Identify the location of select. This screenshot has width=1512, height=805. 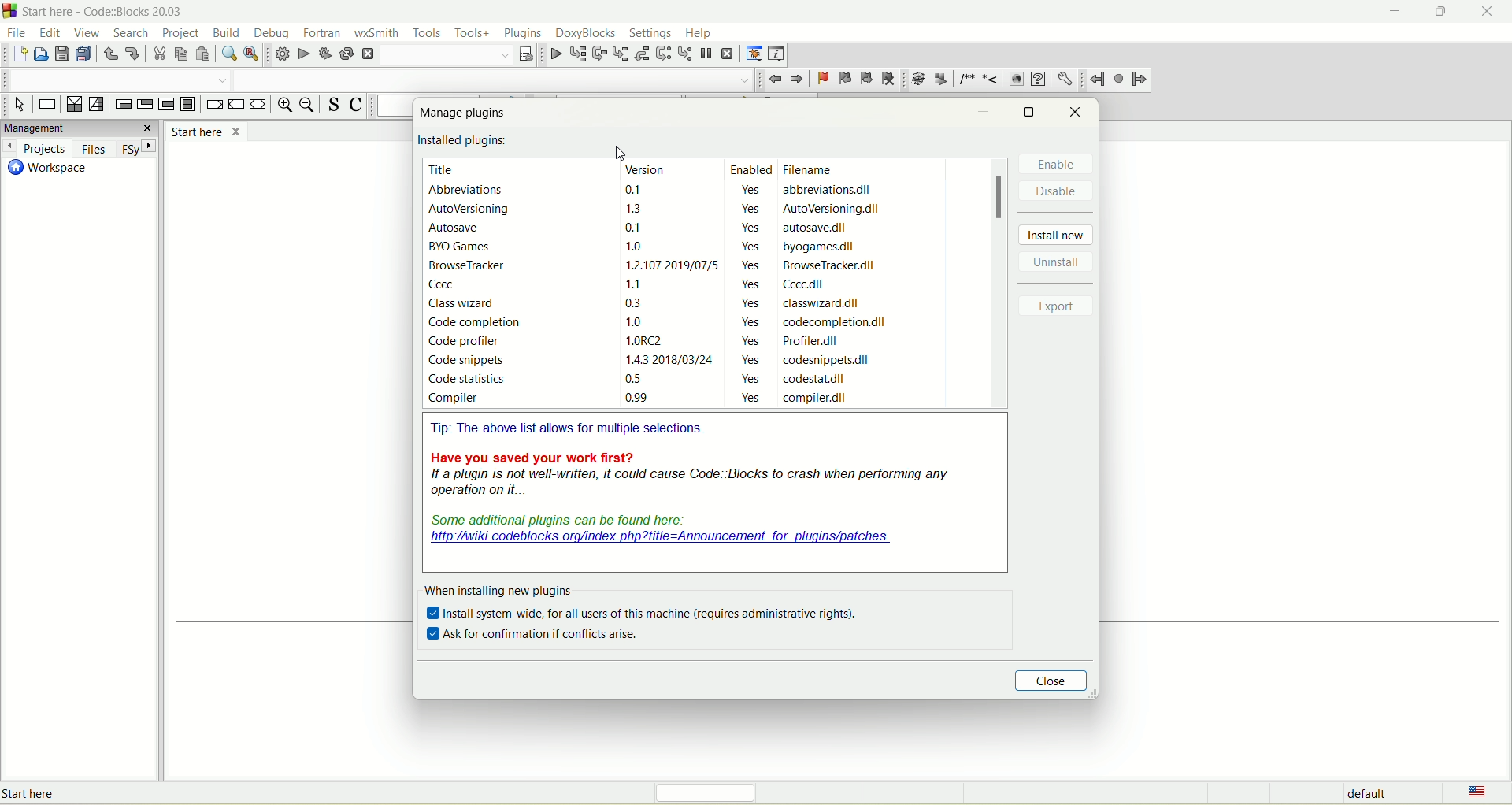
(20, 106).